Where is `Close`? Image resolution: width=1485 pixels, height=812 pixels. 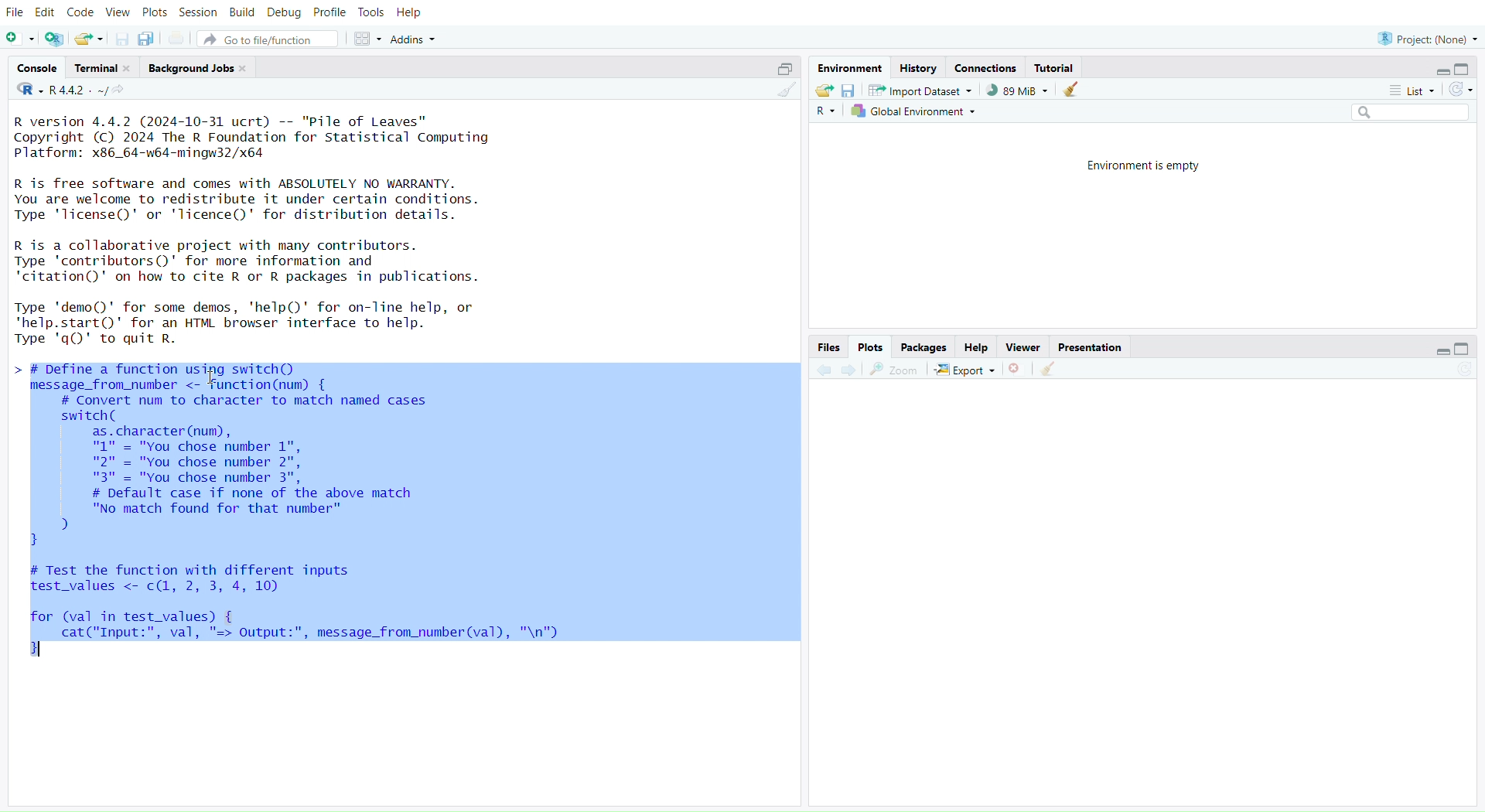
Close is located at coordinates (1016, 368).